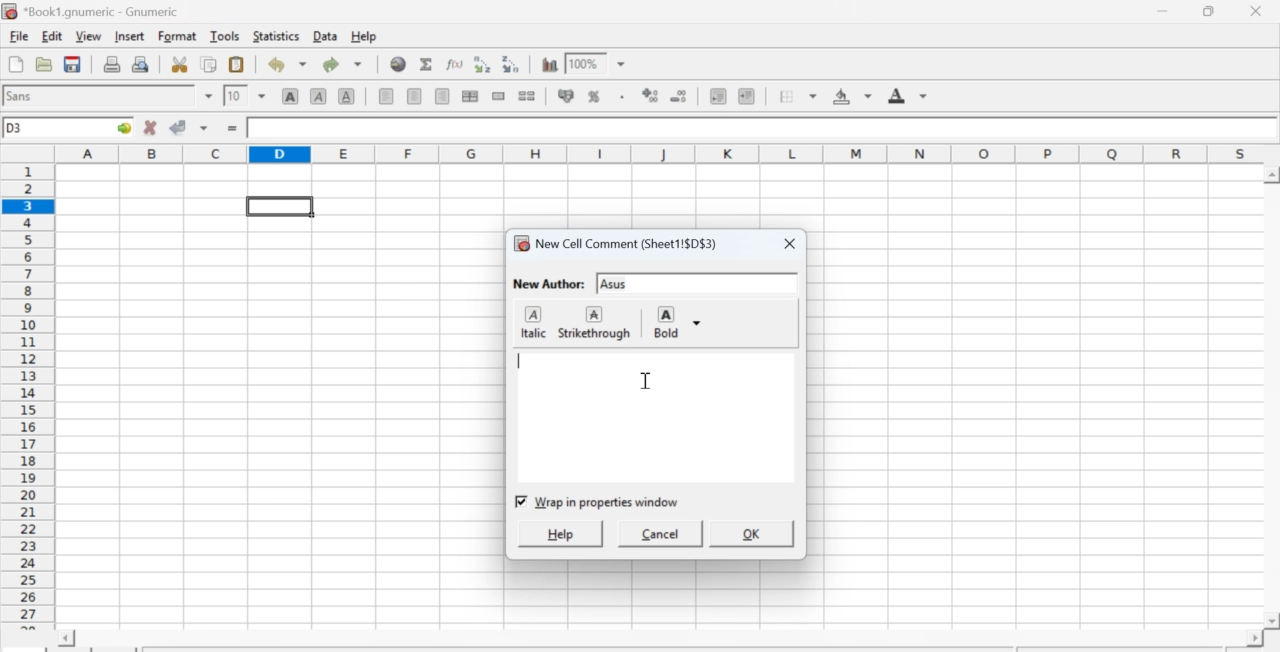 The width and height of the screenshot is (1280, 652). I want to click on Cancel change, so click(148, 127).